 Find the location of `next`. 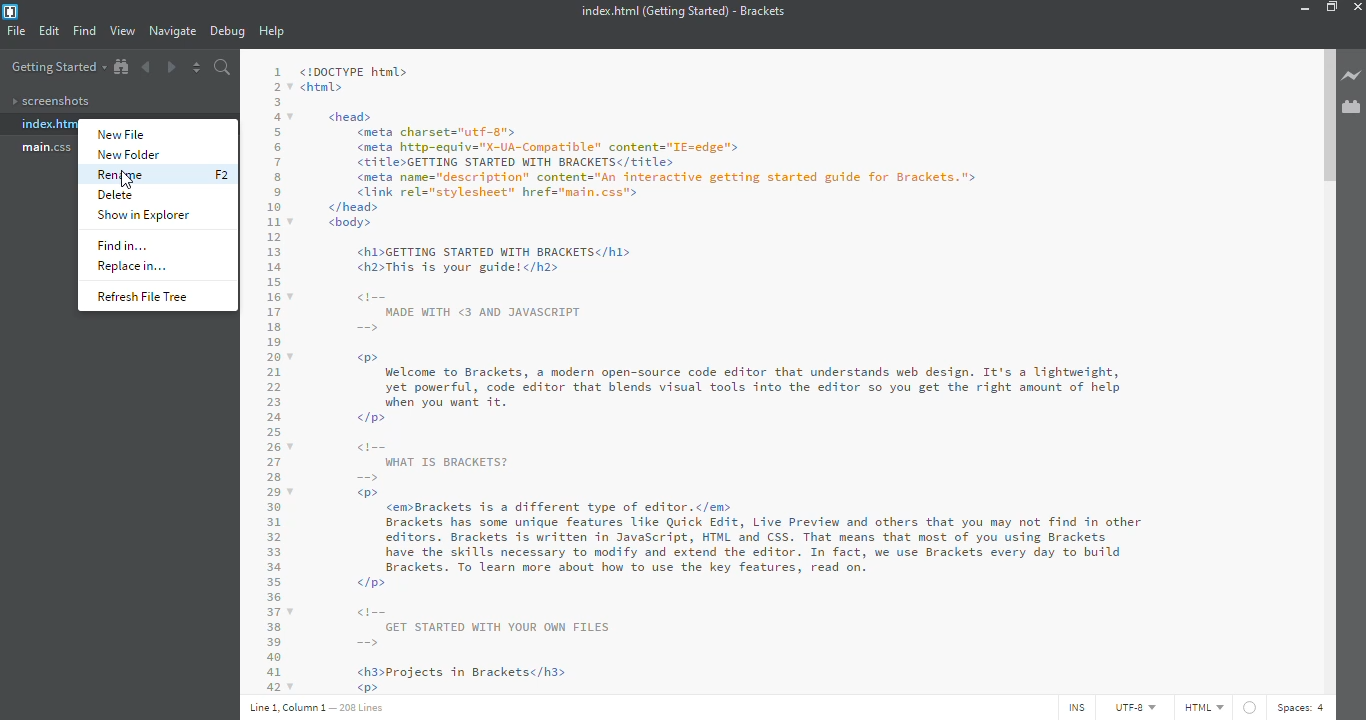

next is located at coordinates (170, 65).